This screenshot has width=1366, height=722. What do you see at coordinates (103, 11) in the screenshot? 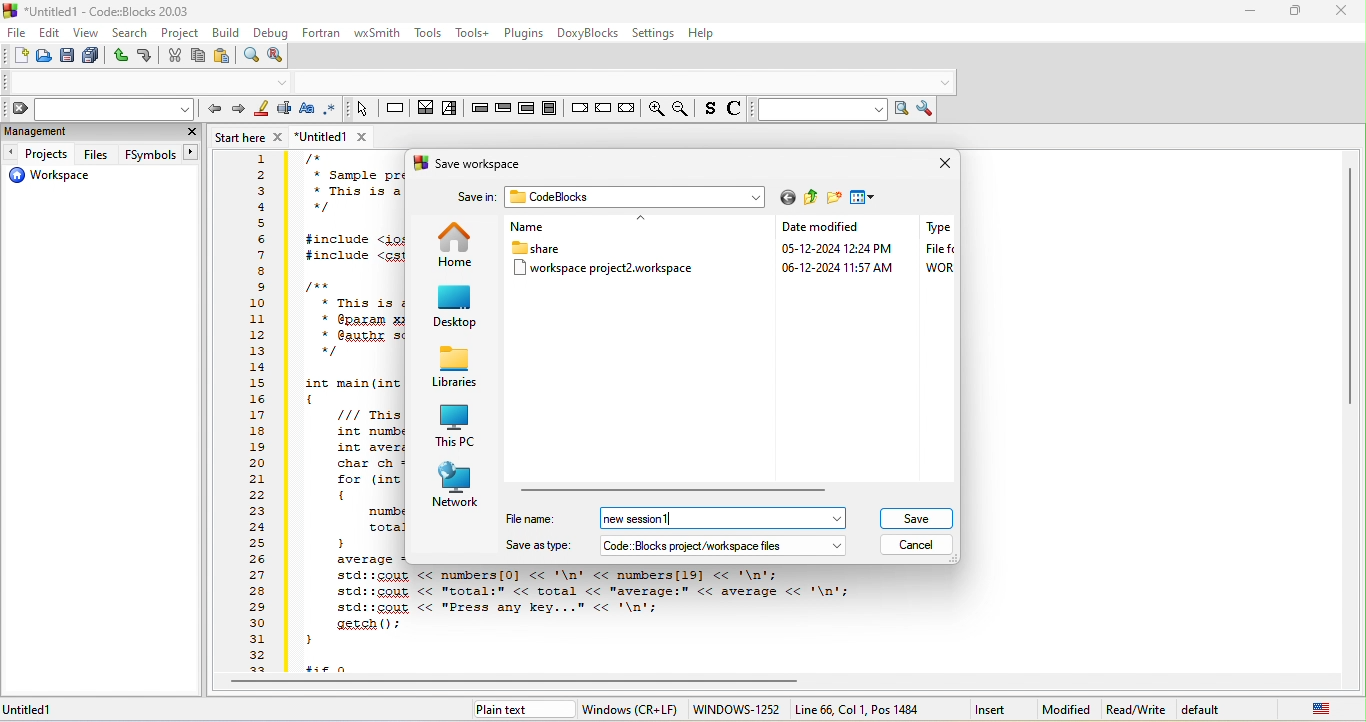
I see `title` at bounding box center [103, 11].